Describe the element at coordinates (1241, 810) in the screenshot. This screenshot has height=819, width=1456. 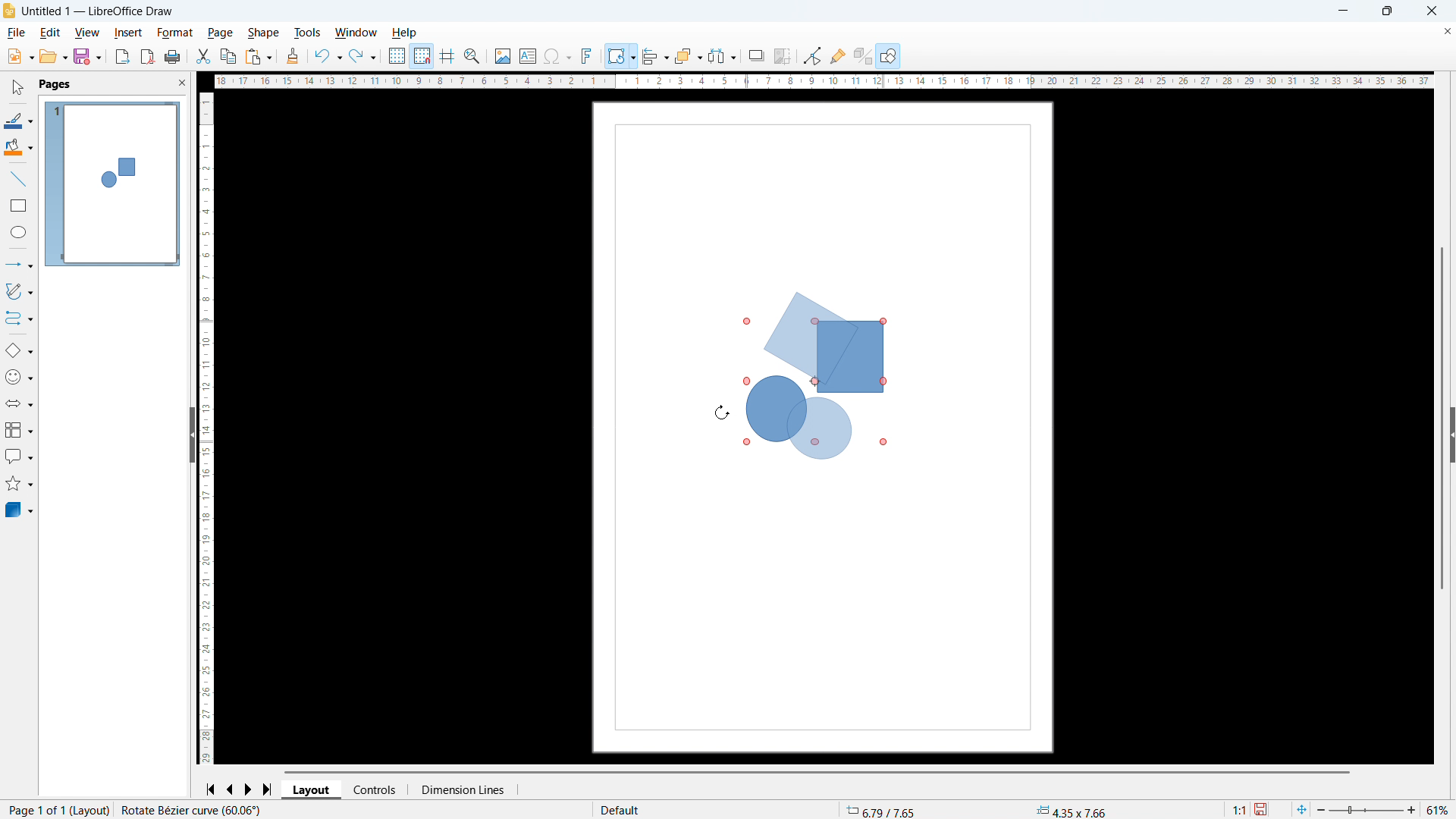
I see `Scaling factor ` at that location.